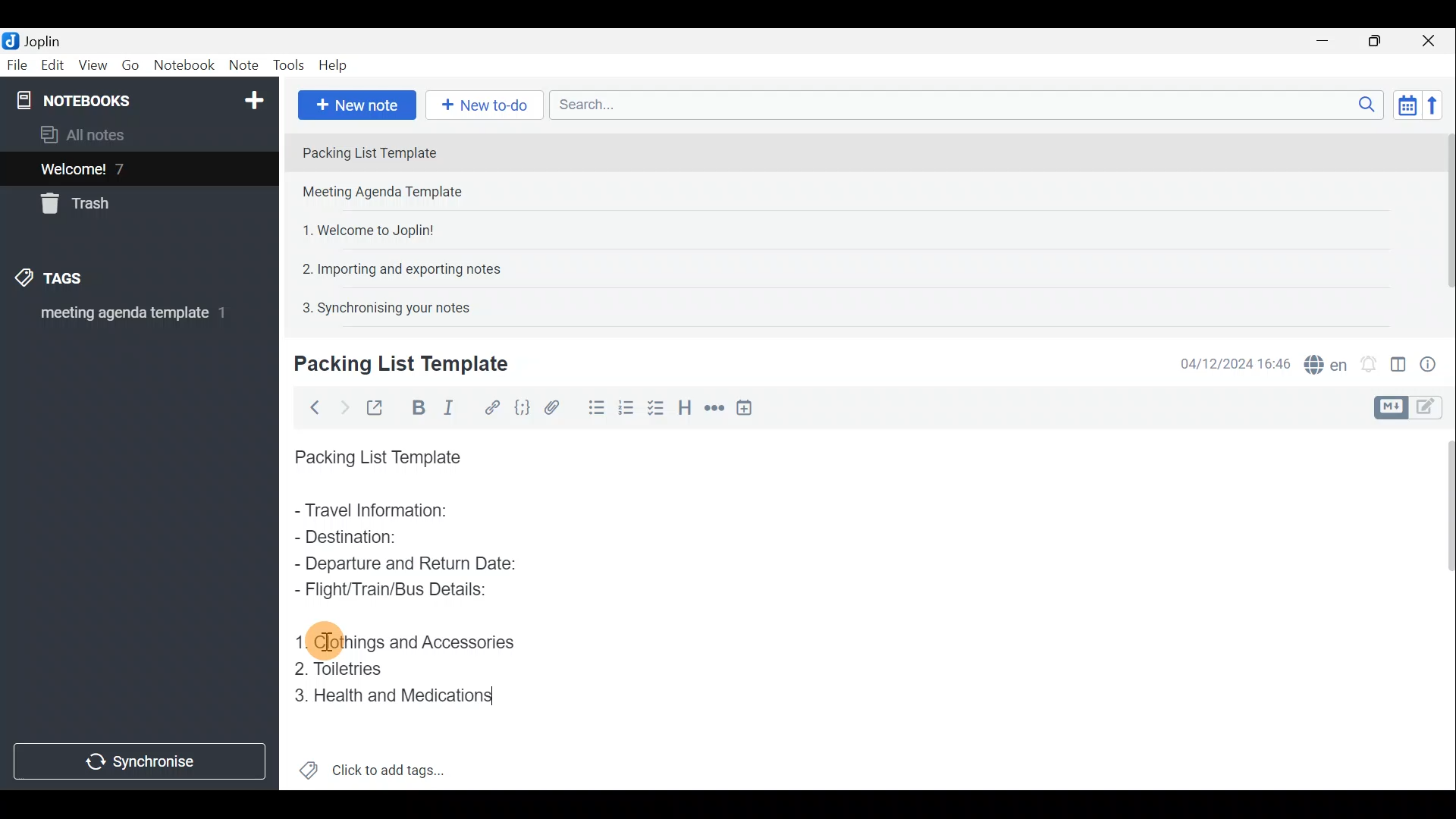 This screenshot has height=819, width=1456. What do you see at coordinates (1442, 607) in the screenshot?
I see `Scroll bar` at bounding box center [1442, 607].